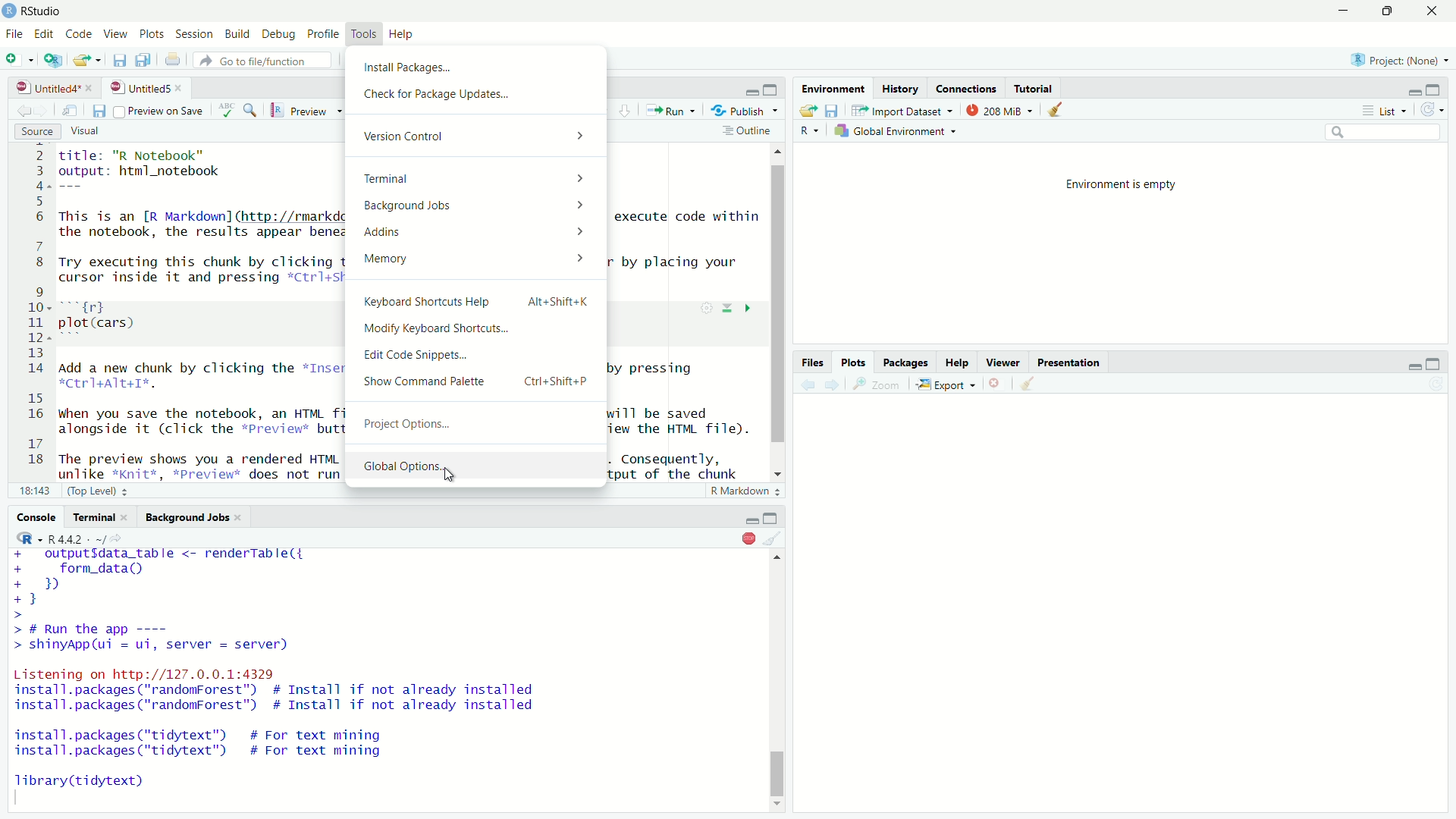 The image size is (1456, 819). I want to click on vertical scrollbar, so click(777, 773).